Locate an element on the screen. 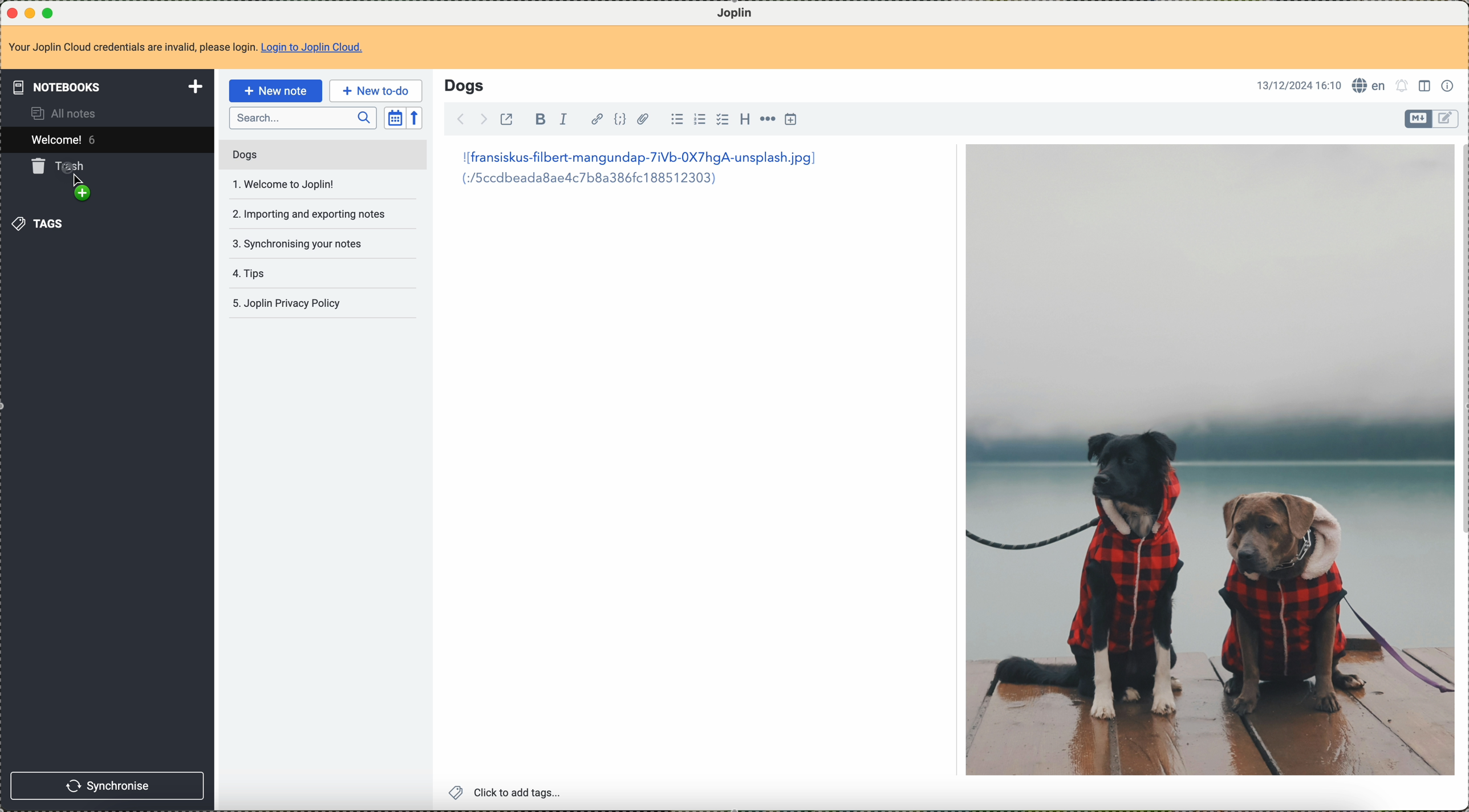 This screenshot has height=812, width=1469. Your Joplin Cloud credentials are invalid, please login. Login to Joplin Cloud. is located at coordinates (197, 47).